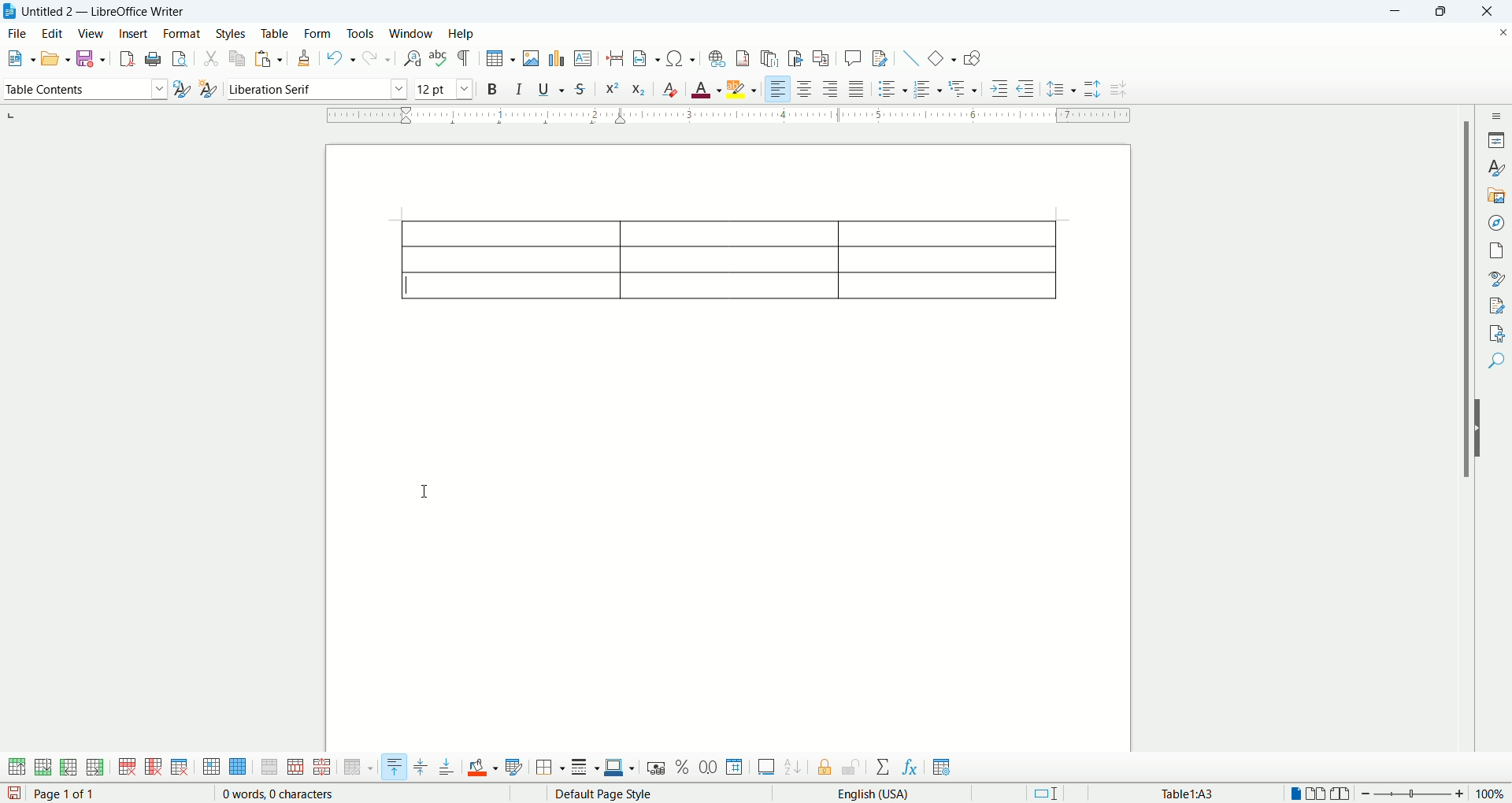  I want to click on styles, so click(232, 35).